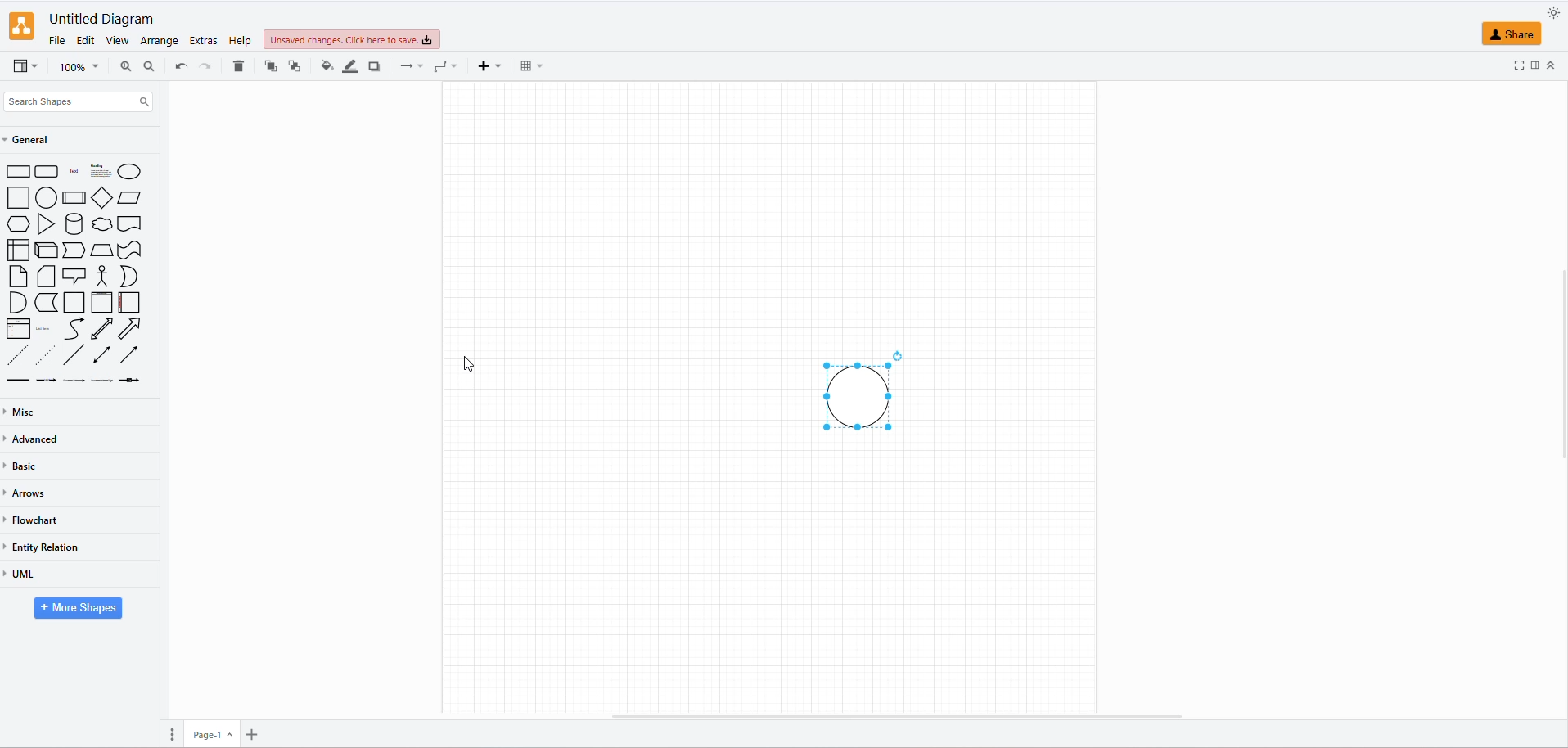 This screenshot has width=1568, height=748. Describe the element at coordinates (74, 302) in the screenshot. I see `CONTAINER` at that location.